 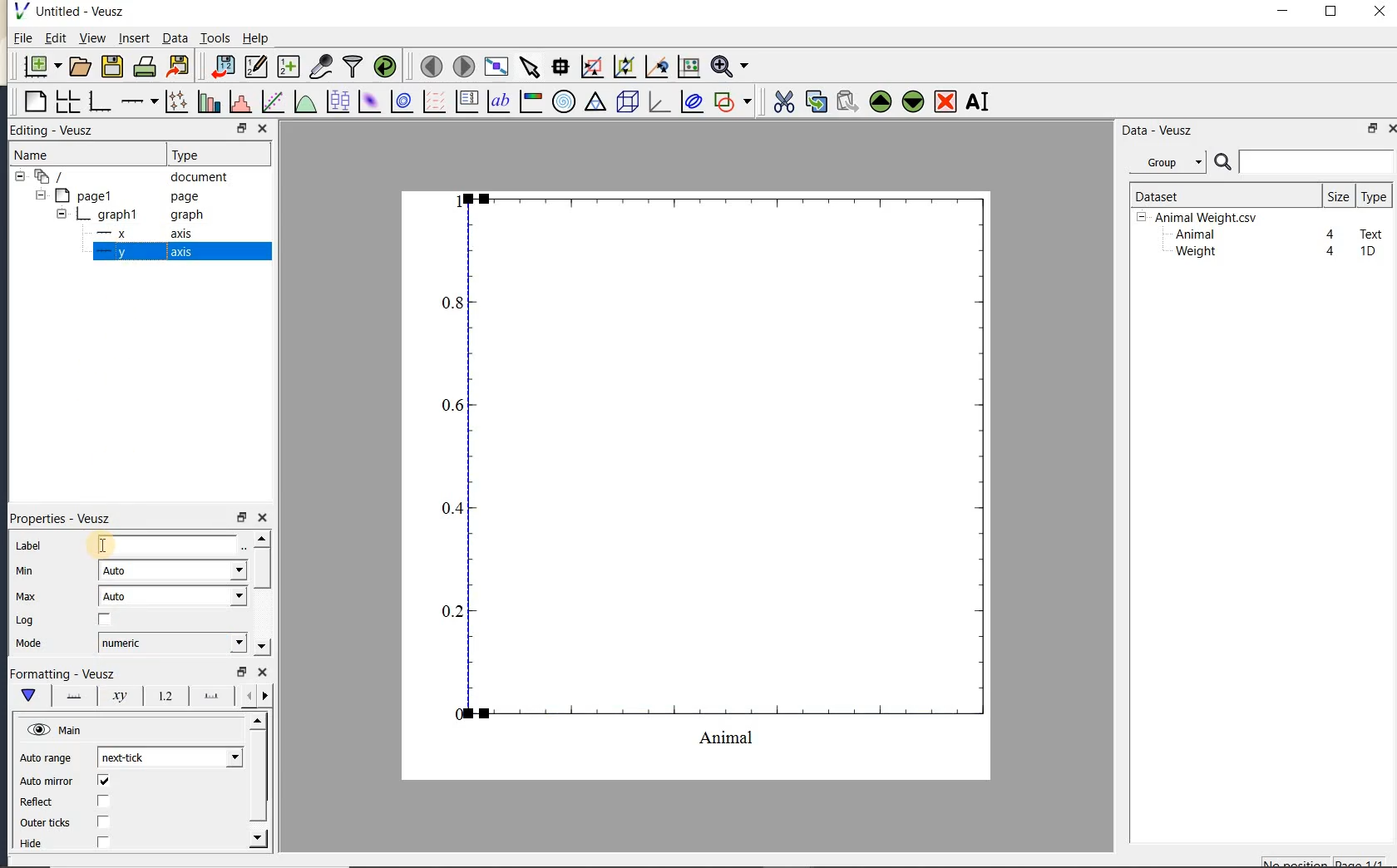 What do you see at coordinates (27, 571) in the screenshot?
I see `Min` at bounding box center [27, 571].